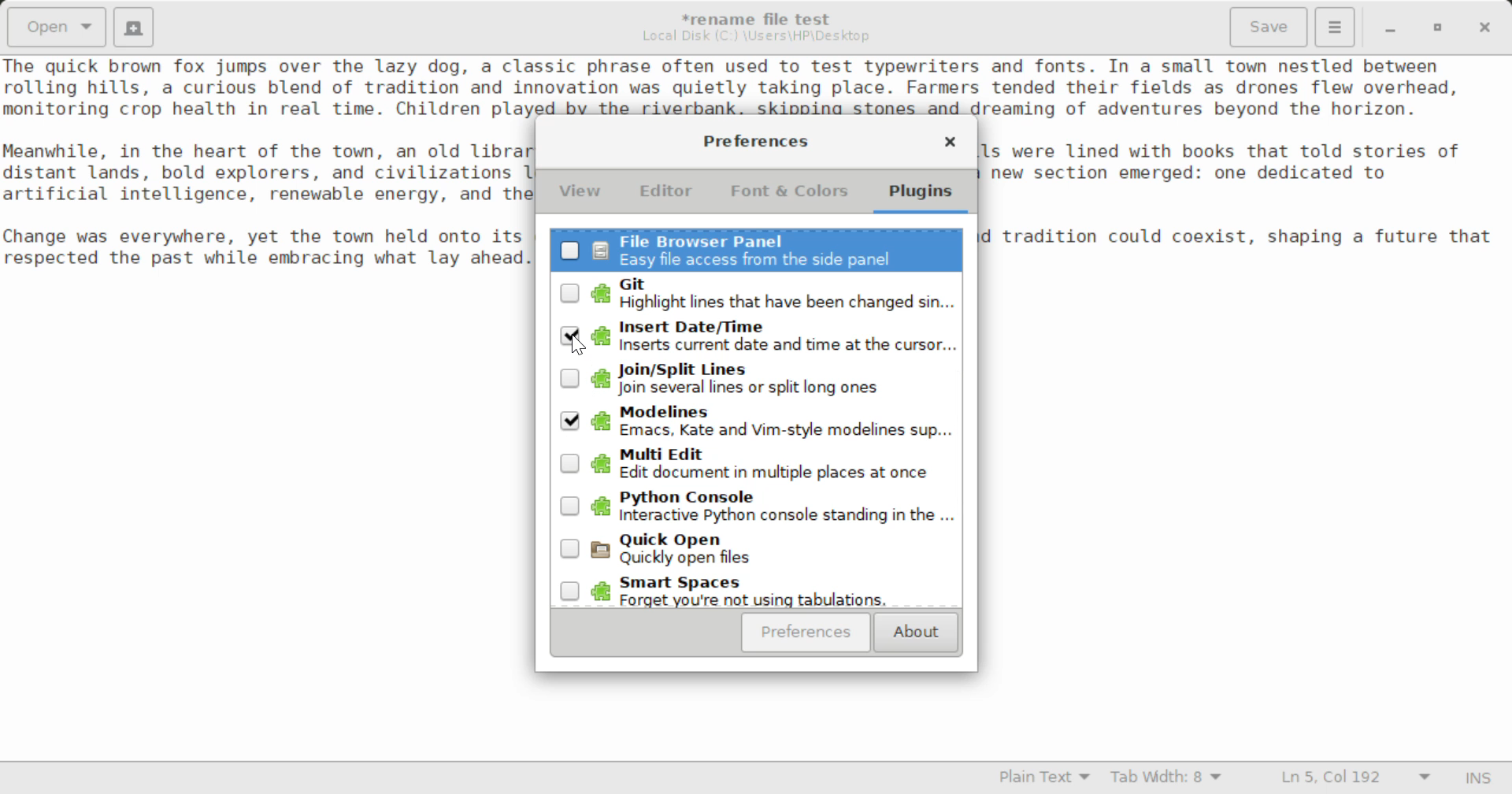  Describe the element at coordinates (1045, 779) in the screenshot. I see `Selected Language` at that location.